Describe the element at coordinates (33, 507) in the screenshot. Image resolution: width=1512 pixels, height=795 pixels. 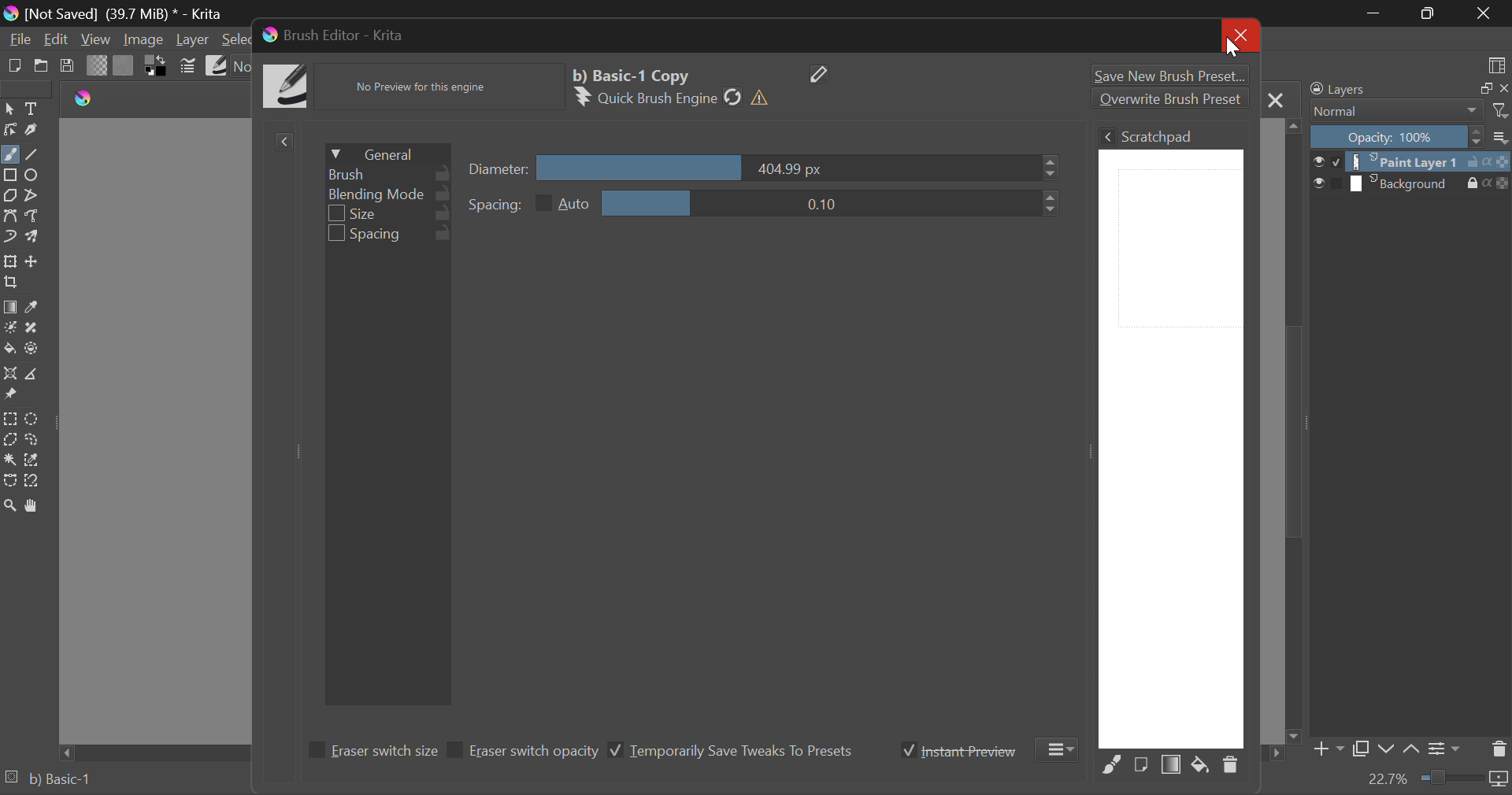
I see `Pan` at that location.